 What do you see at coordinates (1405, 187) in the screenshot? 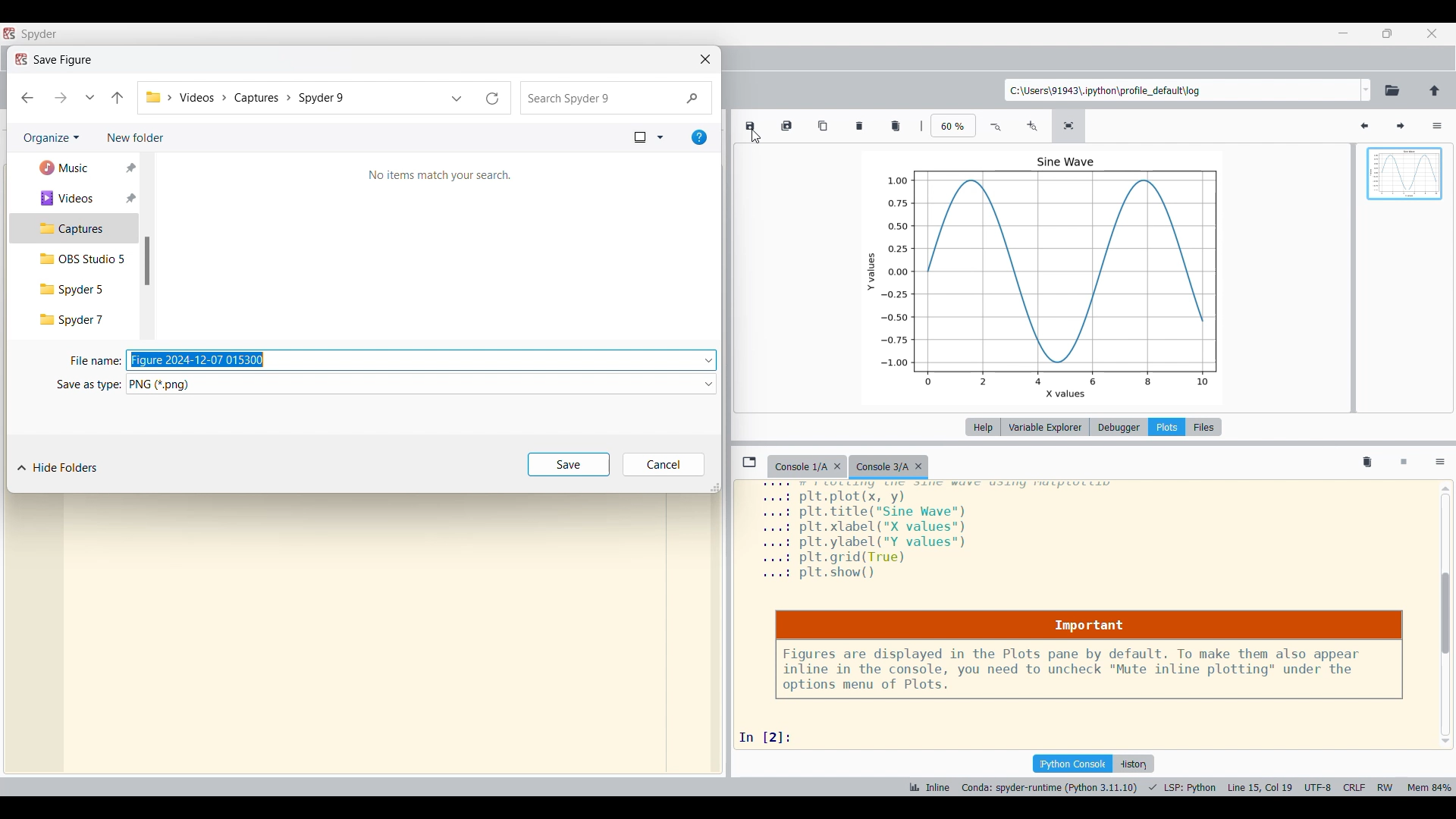
I see `Preview pane` at bounding box center [1405, 187].